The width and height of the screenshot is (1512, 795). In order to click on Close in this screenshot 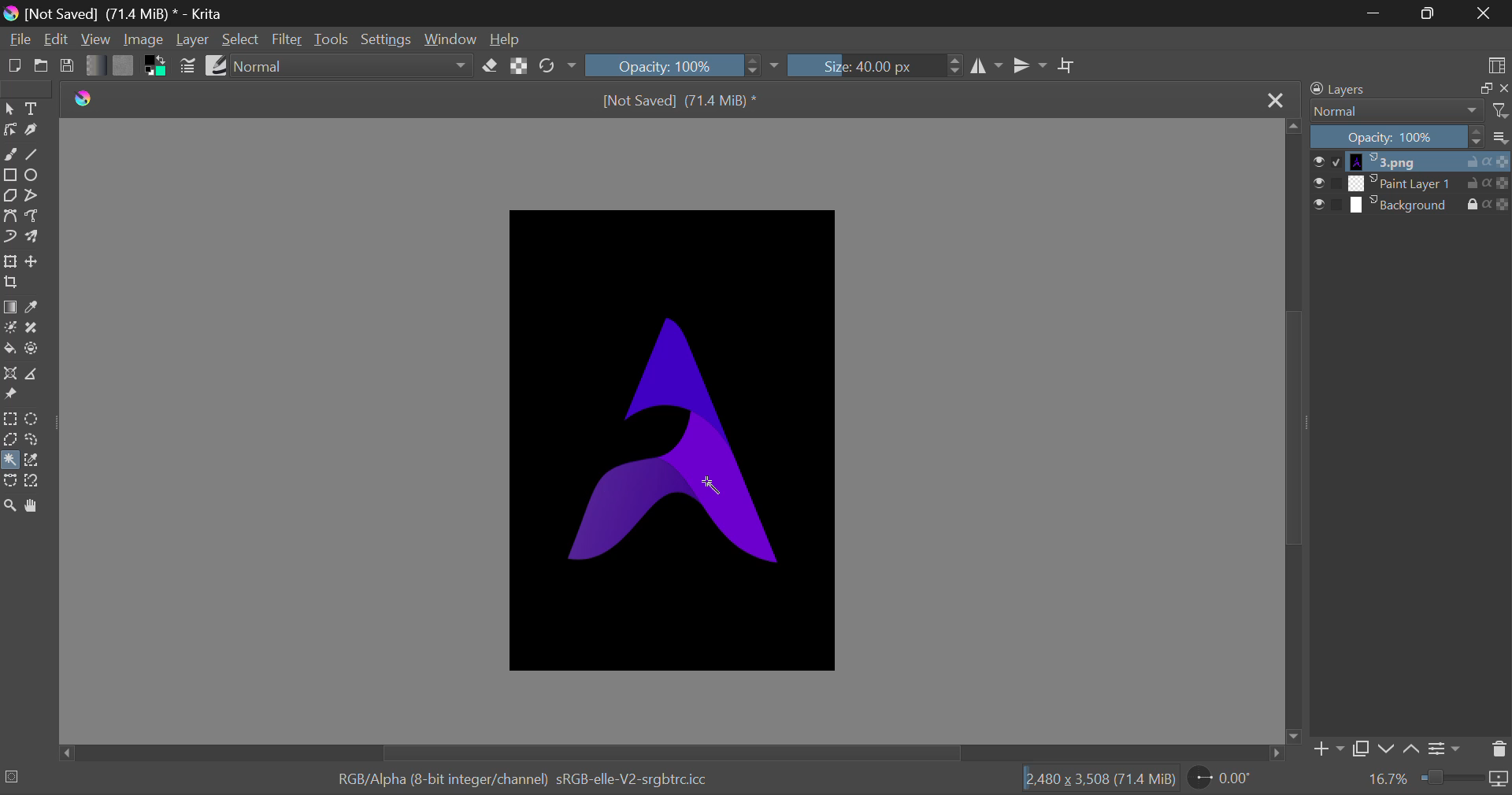, I will do `click(1484, 13)`.